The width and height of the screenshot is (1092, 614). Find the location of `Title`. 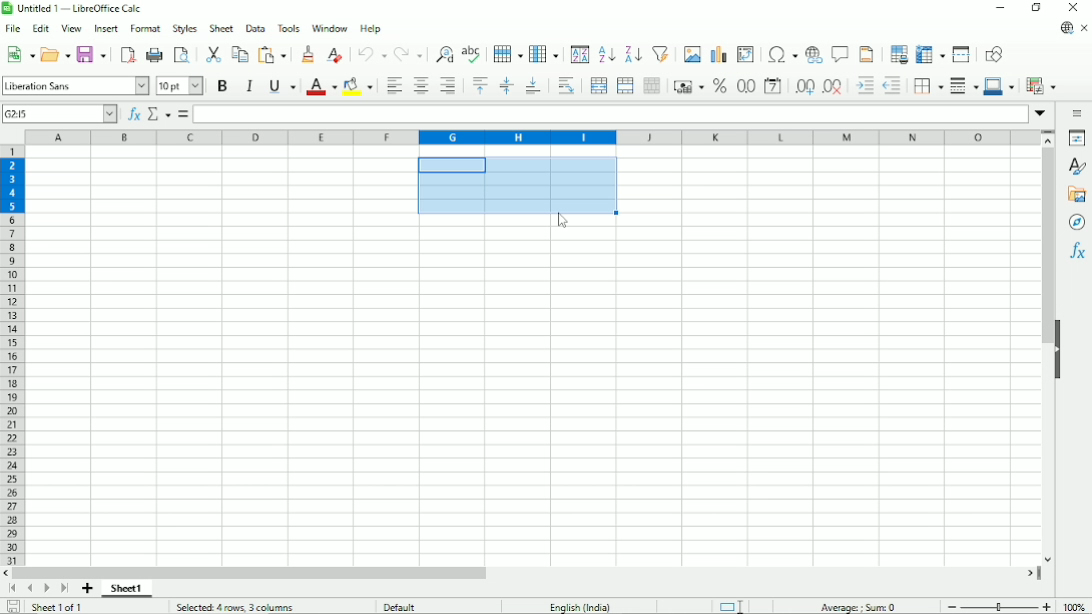

Title is located at coordinates (76, 9).